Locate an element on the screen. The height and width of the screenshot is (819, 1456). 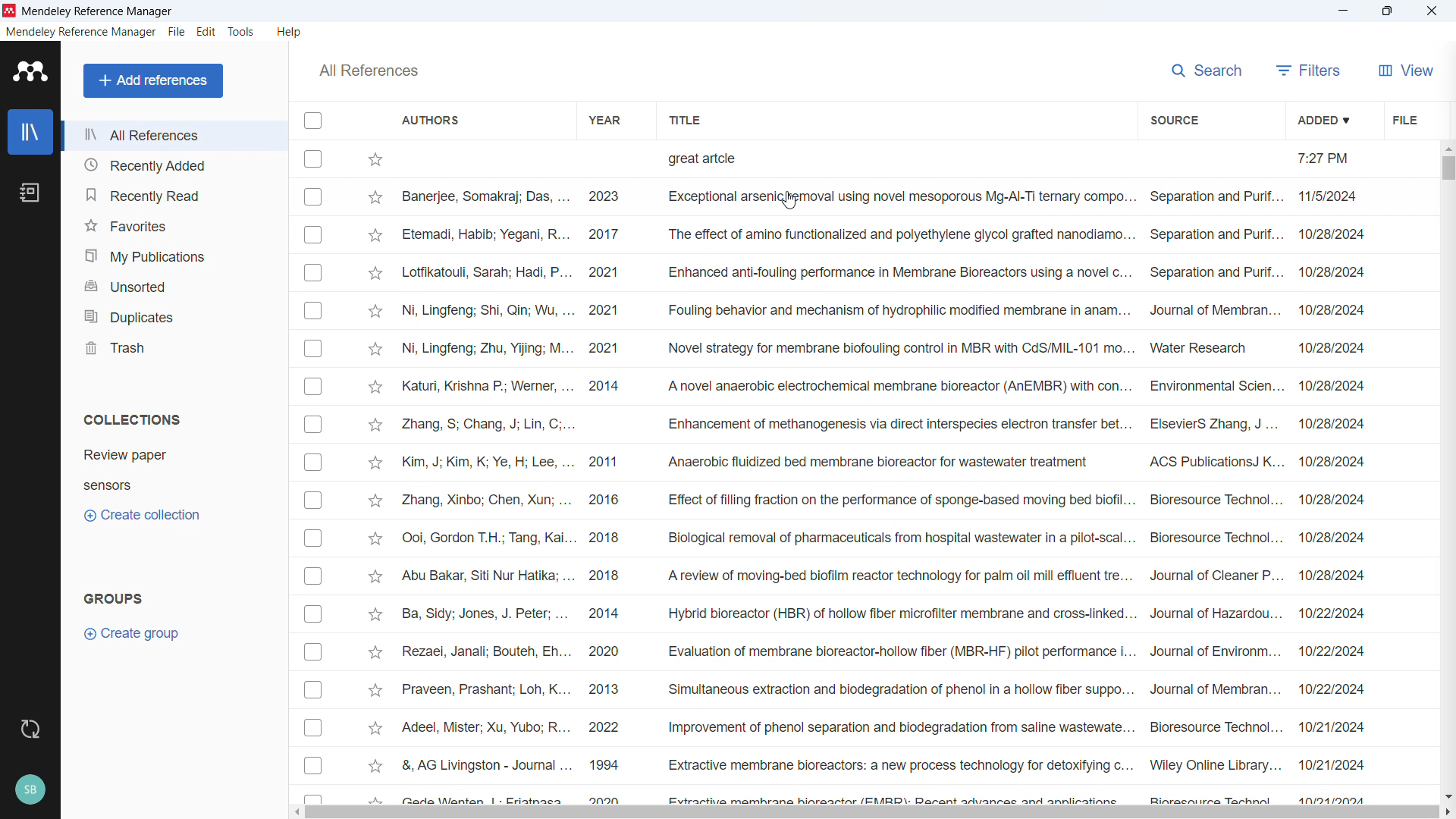
Favourites  is located at coordinates (175, 223).